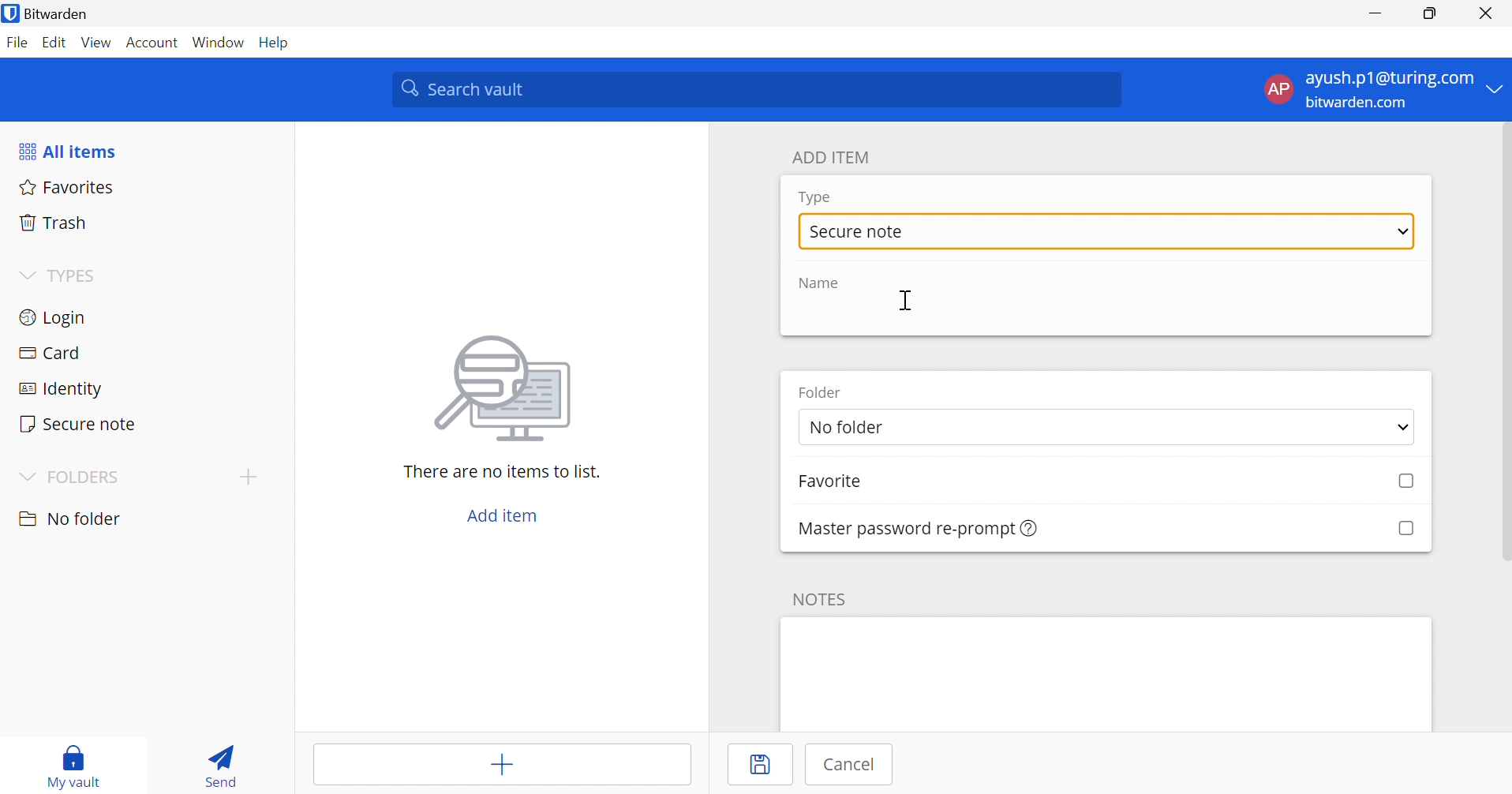 Image resolution: width=1512 pixels, height=794 pixels. I want to click on Restore Down, so click(1428, 15).